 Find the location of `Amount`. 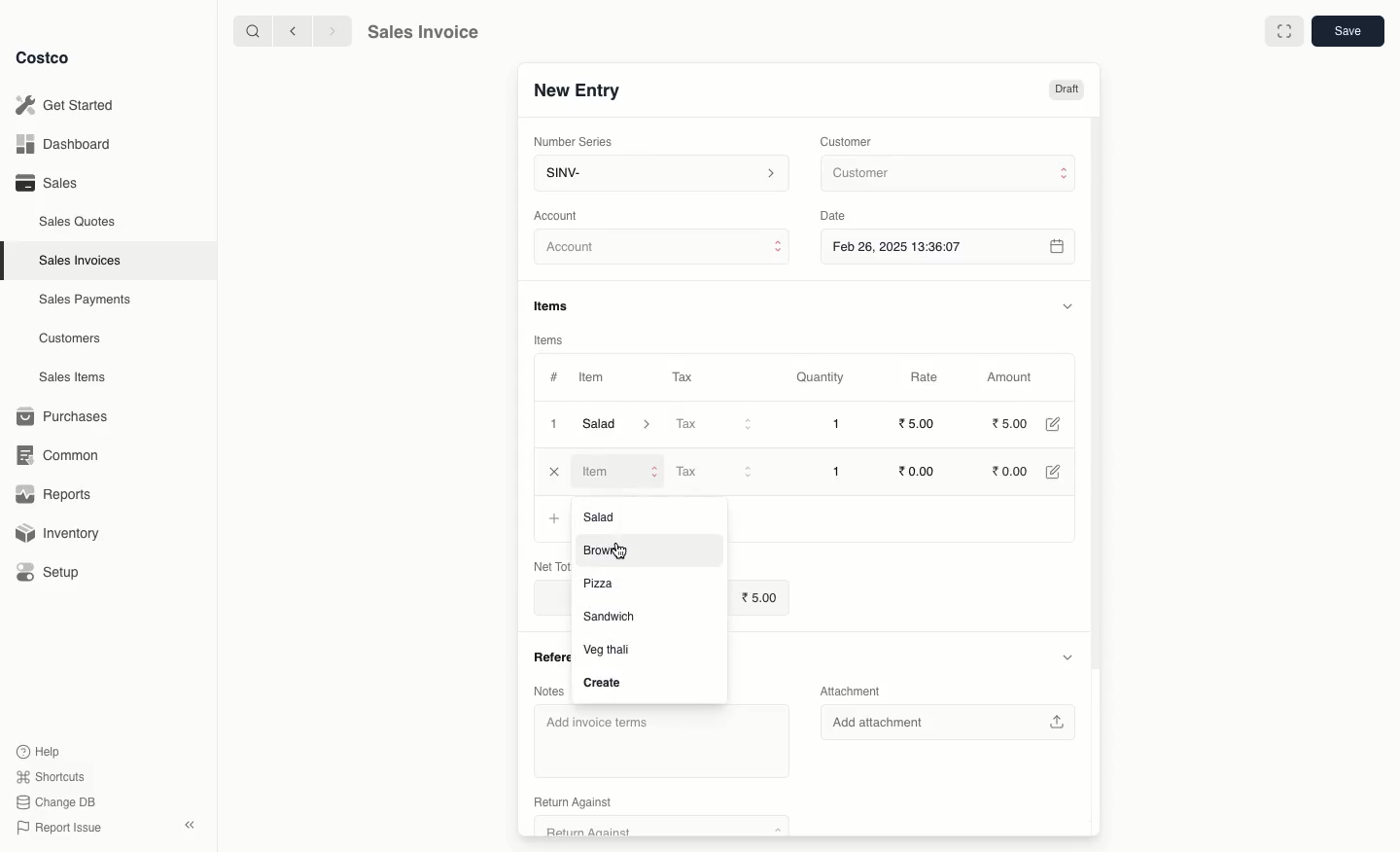

Amount is located at coordinates (1015, 377).